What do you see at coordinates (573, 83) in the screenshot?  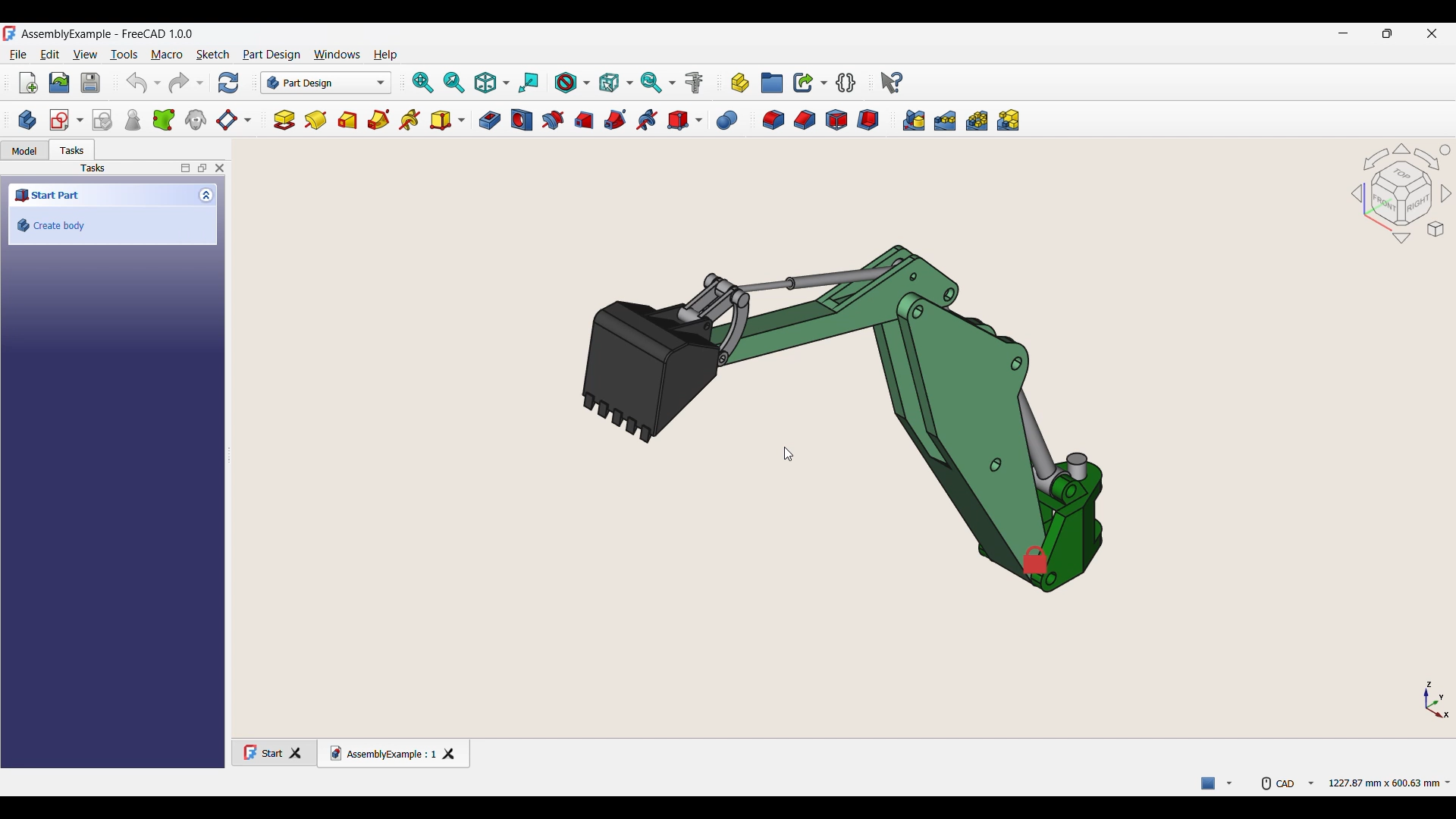 I see `Draw style` at bounding box center [573, 83].